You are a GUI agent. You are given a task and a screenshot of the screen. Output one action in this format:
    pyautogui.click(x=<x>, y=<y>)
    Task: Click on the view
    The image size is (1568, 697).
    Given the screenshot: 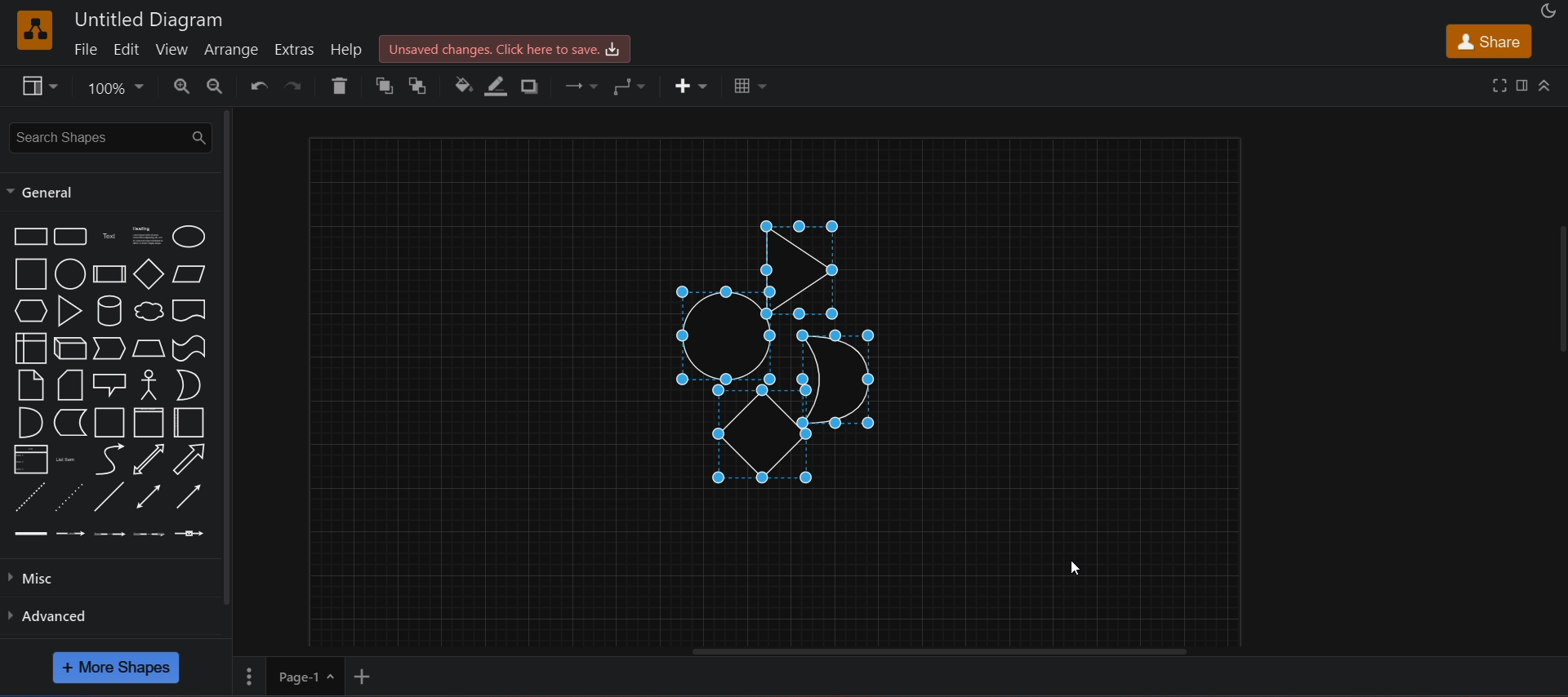 What is the action you would take?
    pyautogui.click(x=42, y=88)
    